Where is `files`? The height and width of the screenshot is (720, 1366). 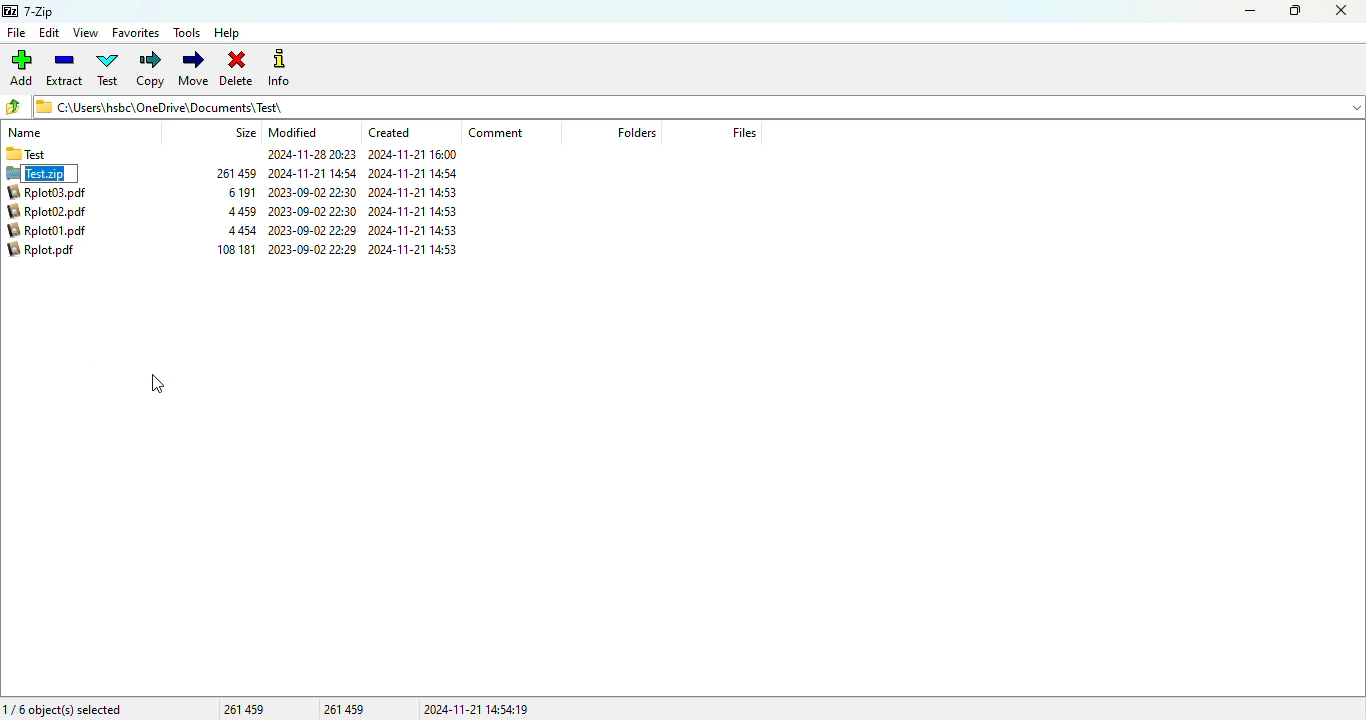 files is located at coordinates (744, 132).